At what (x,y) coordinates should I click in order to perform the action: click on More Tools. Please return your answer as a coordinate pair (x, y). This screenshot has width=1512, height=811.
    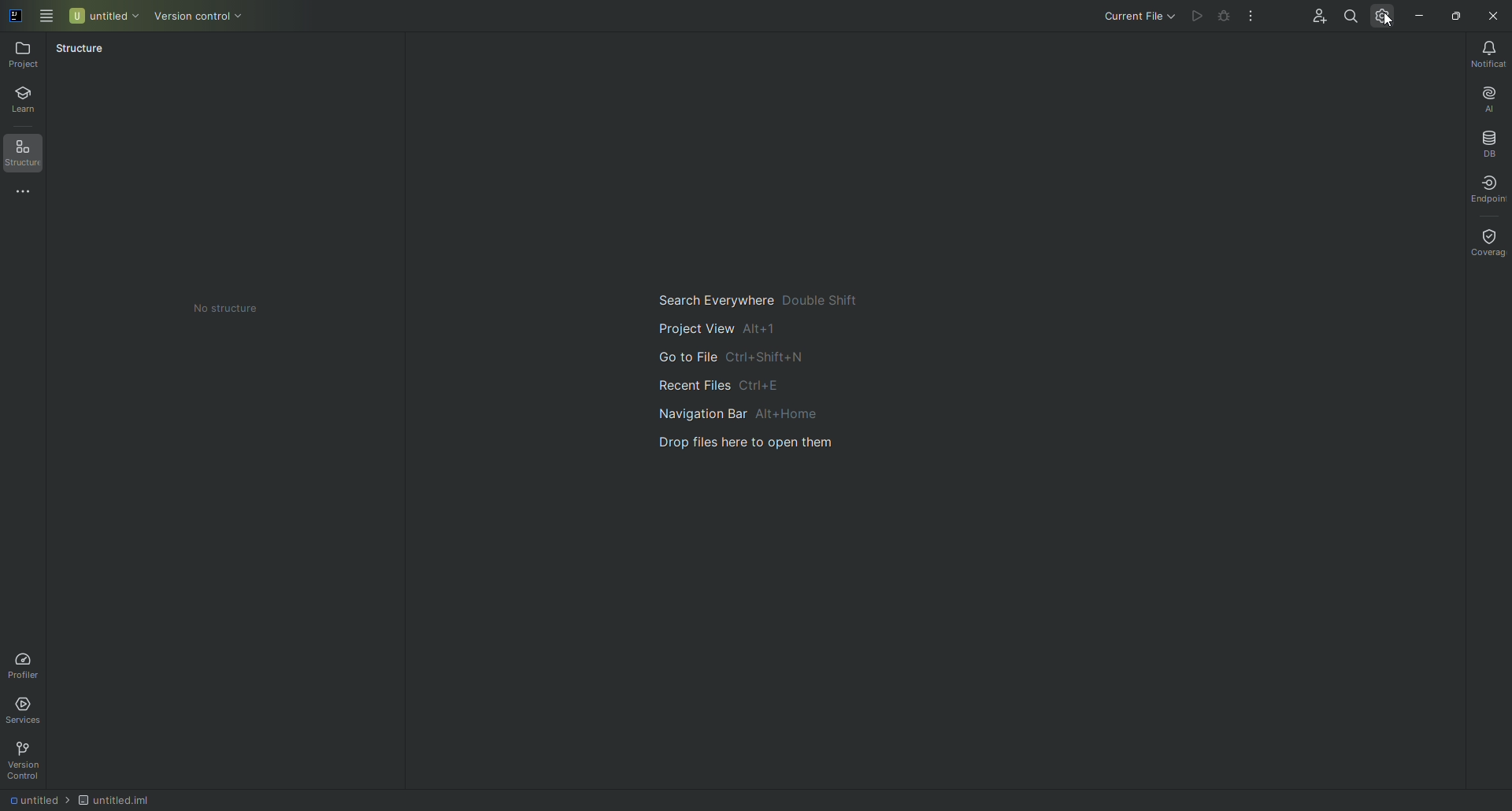
    Looking at the image, I should click on (27, 194).